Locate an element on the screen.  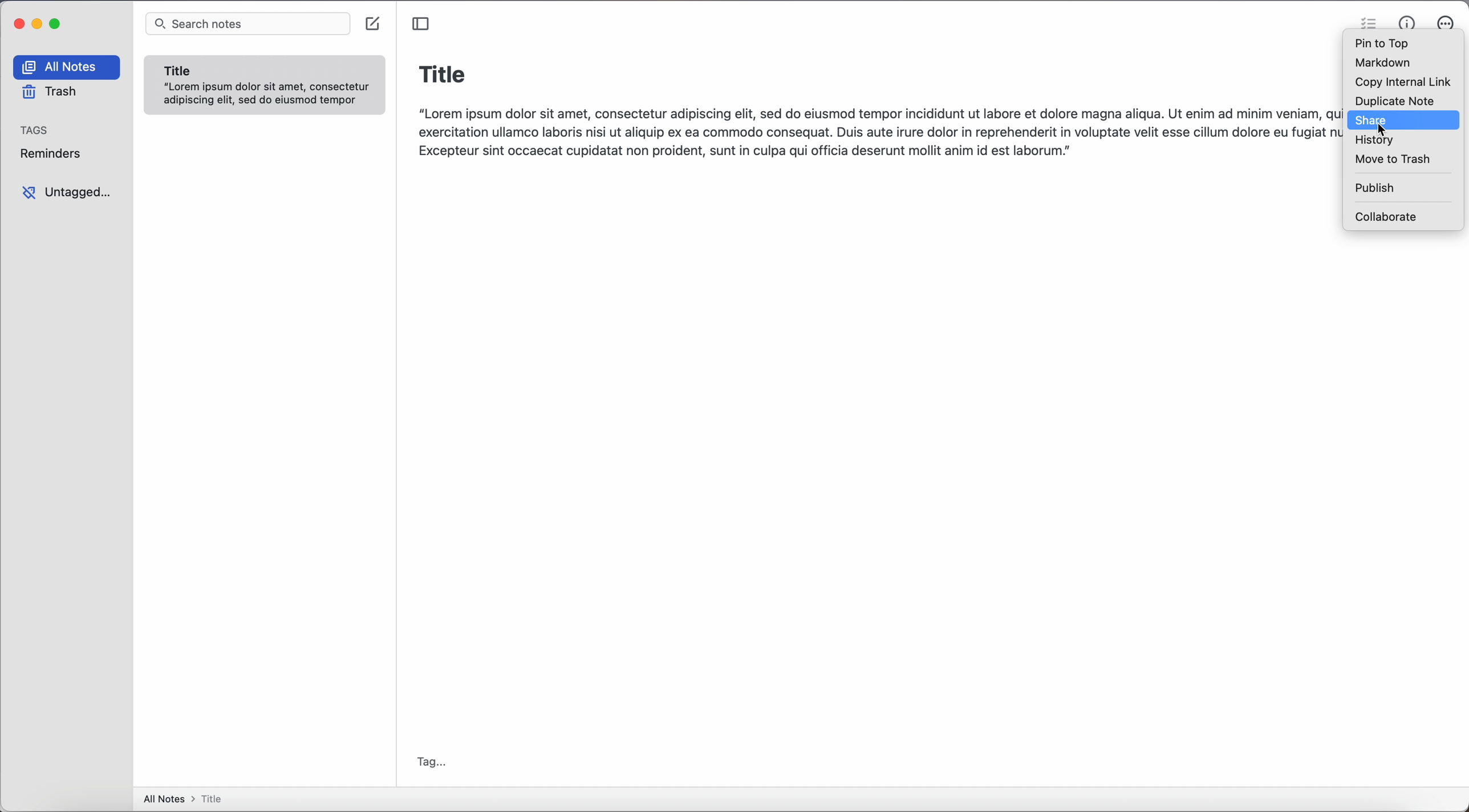
markdown is located at coordinates (1383, 63).